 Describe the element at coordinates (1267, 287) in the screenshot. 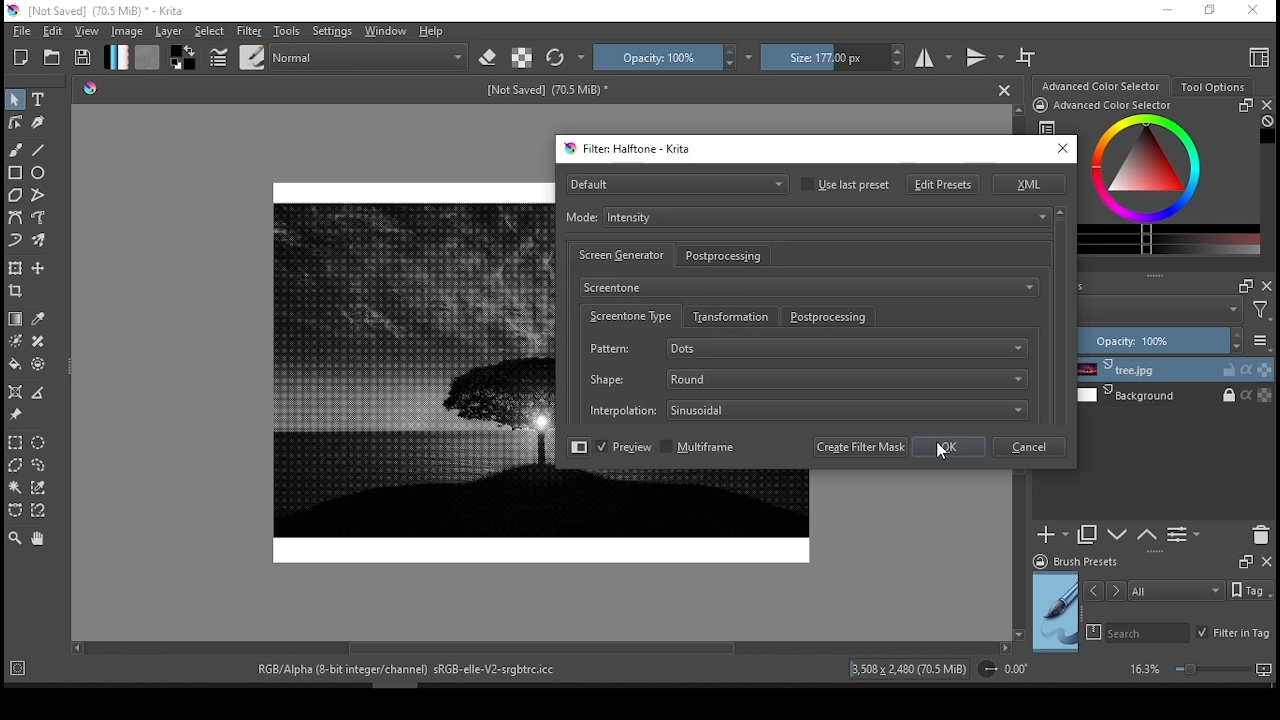

I see `close docker` at that location.